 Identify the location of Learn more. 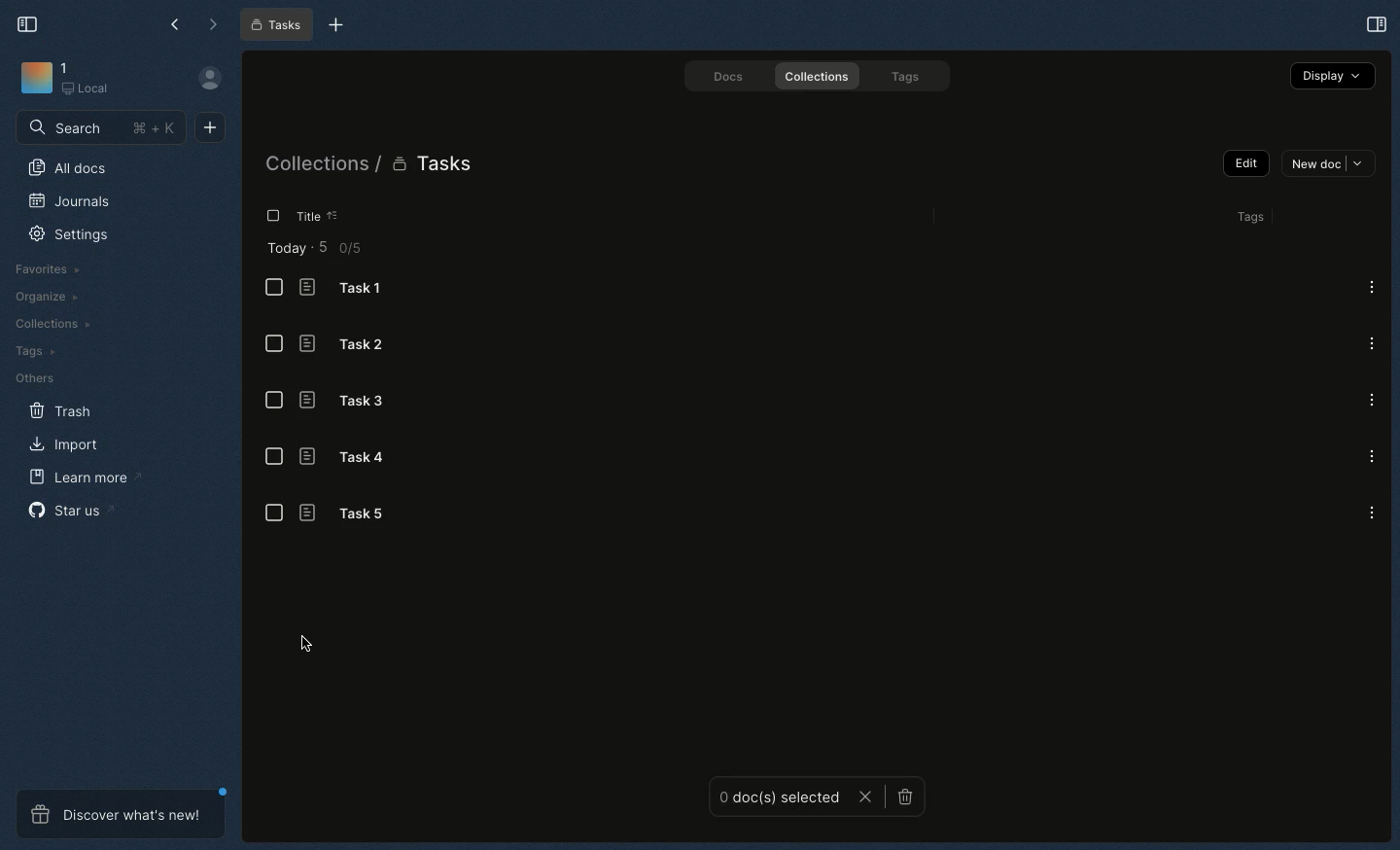
(82, 478).